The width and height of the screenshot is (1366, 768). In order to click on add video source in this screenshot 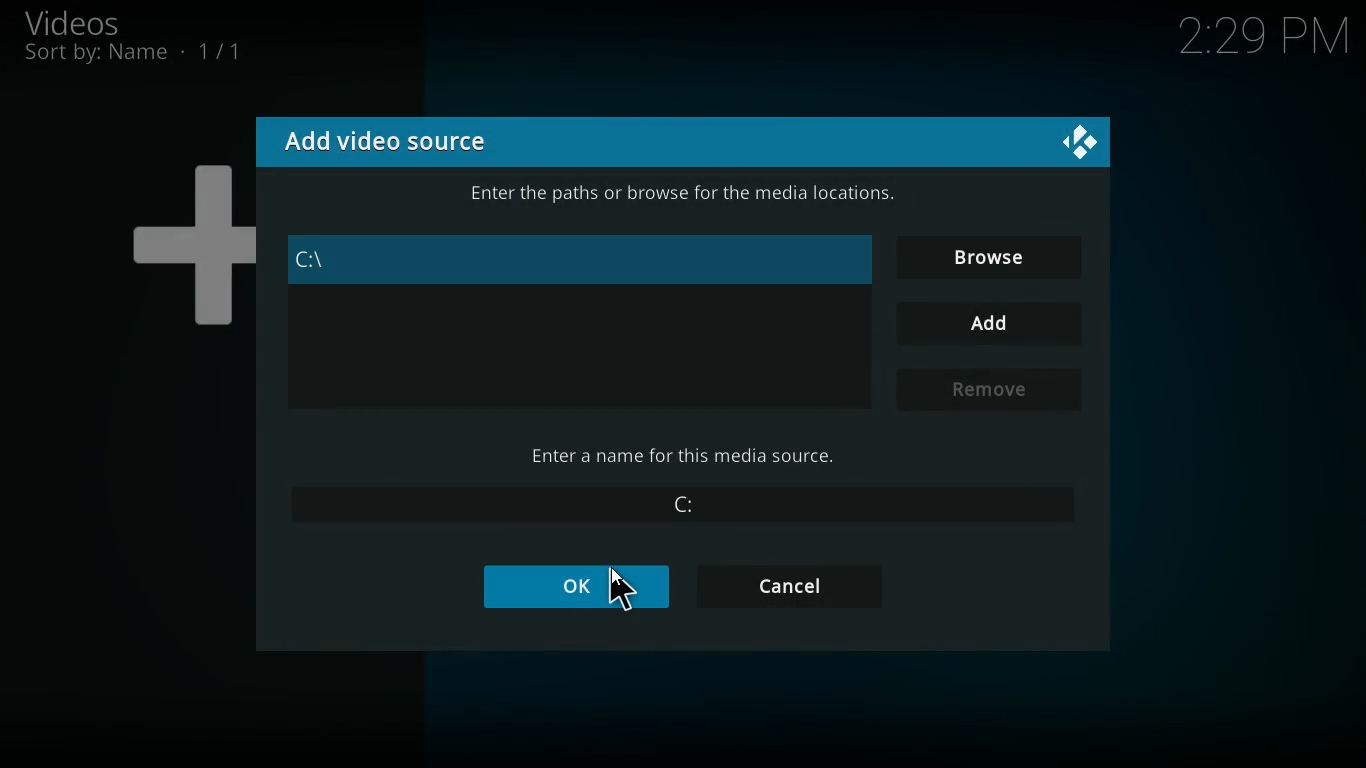, I will do `click(387, 141)`.